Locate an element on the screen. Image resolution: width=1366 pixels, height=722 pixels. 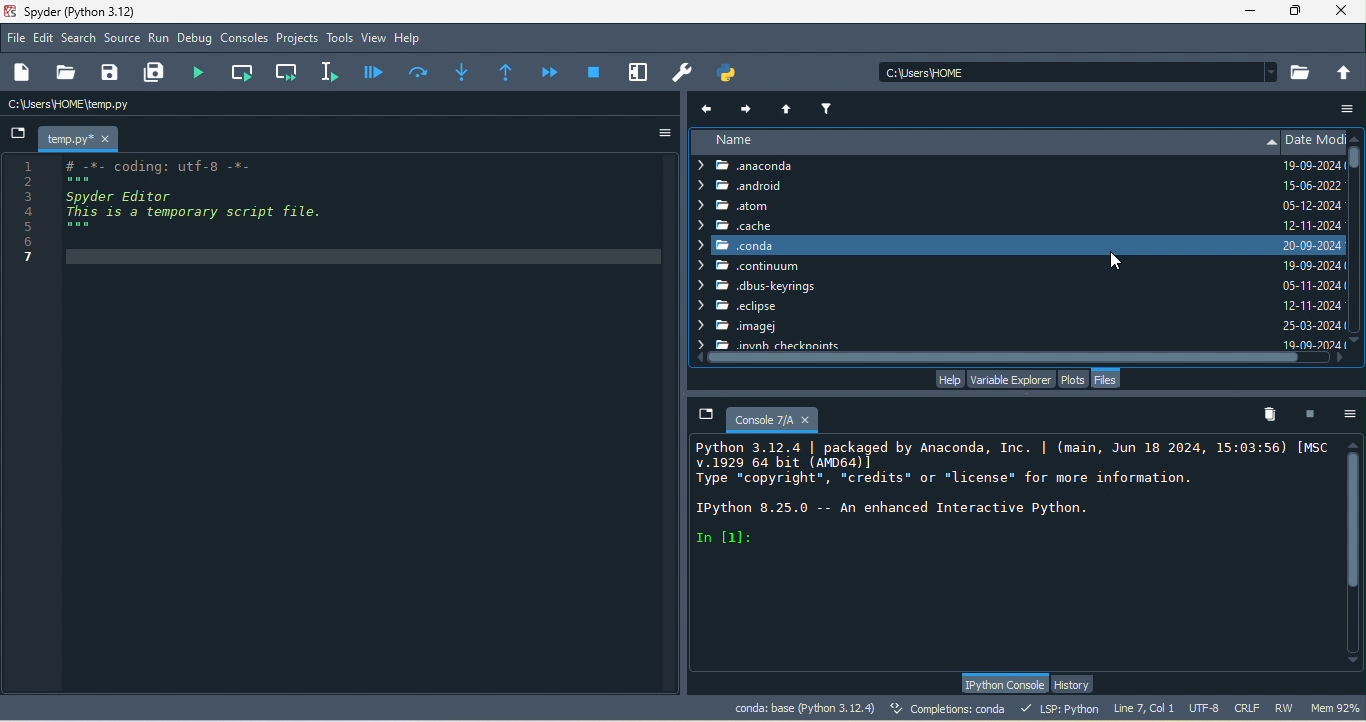
new is located at coordinates (25, 73).